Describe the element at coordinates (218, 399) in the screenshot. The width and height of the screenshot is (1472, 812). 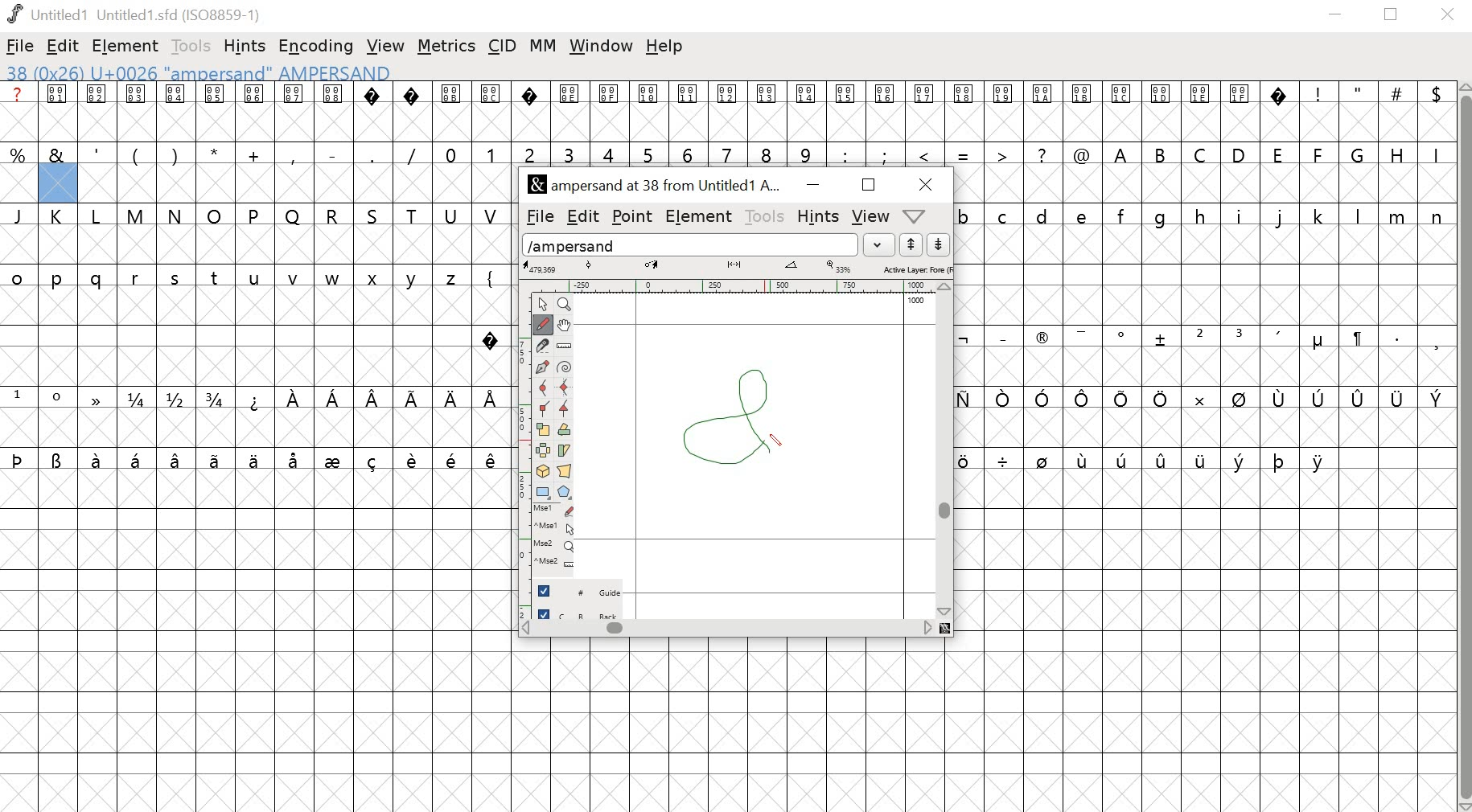
I see `3/4` at that location.